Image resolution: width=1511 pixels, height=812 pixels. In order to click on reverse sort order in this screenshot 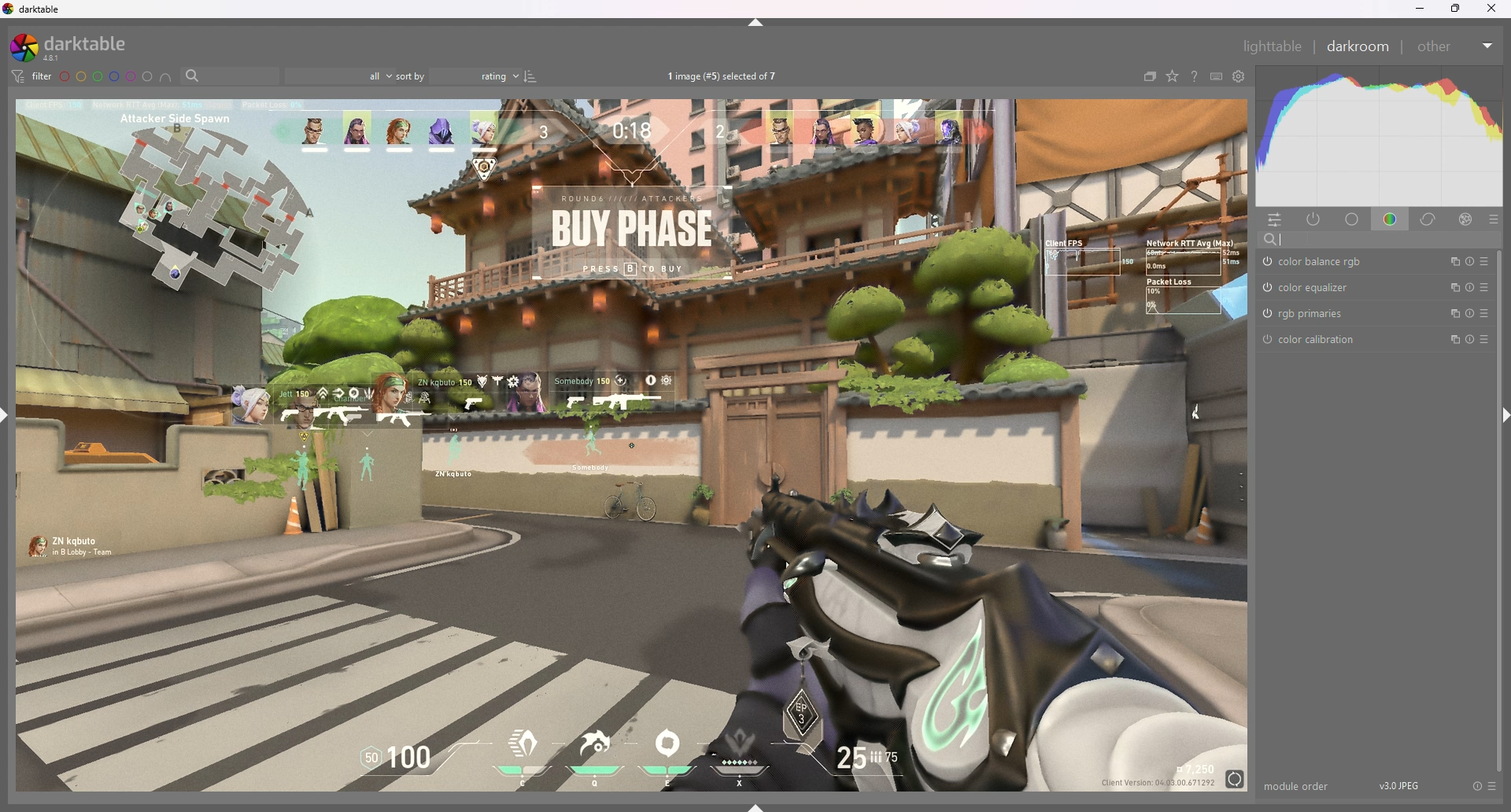, I will do `click(530, 76)`.